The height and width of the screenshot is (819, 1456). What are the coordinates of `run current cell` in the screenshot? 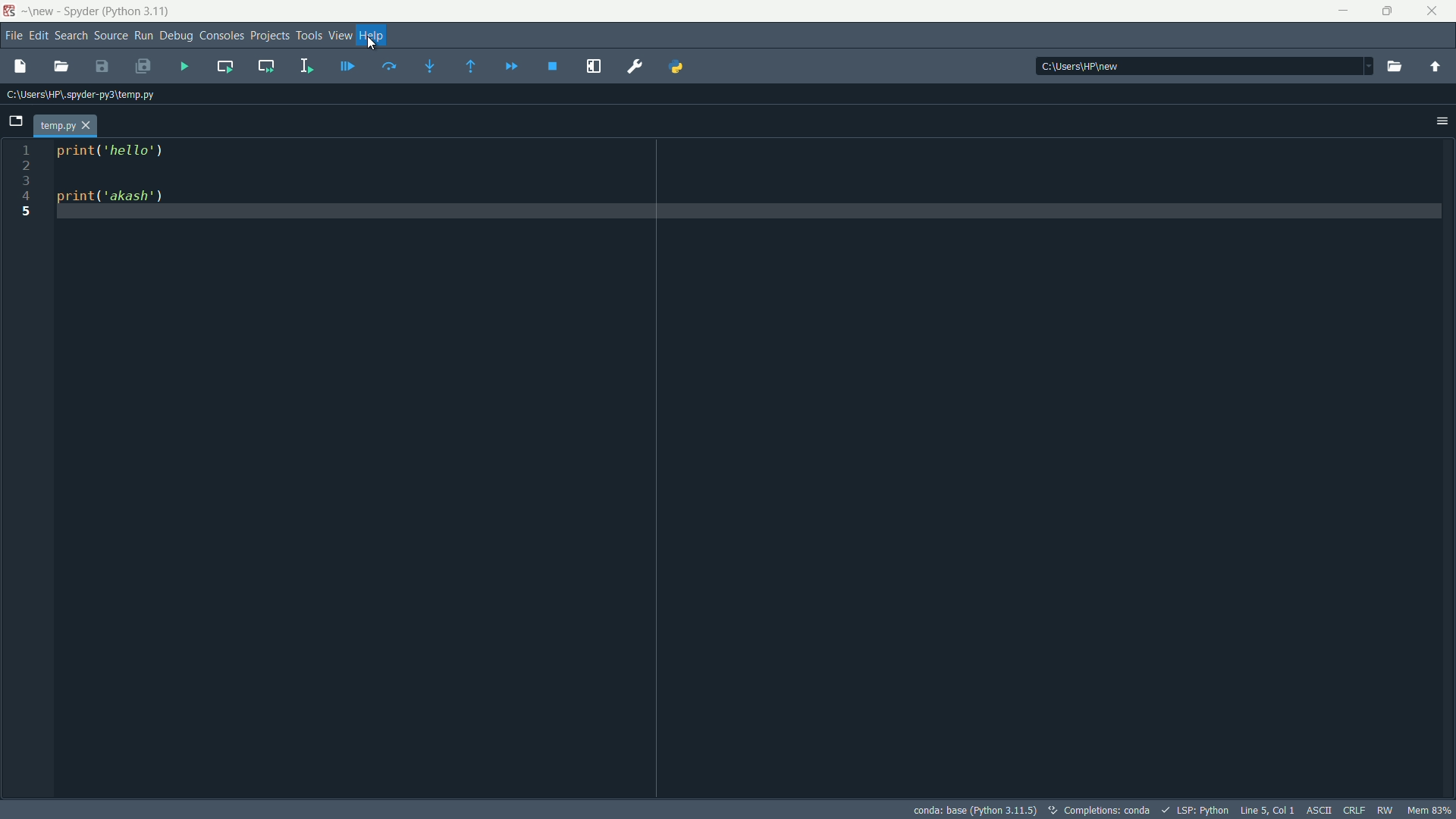 It's located at (225, 66).